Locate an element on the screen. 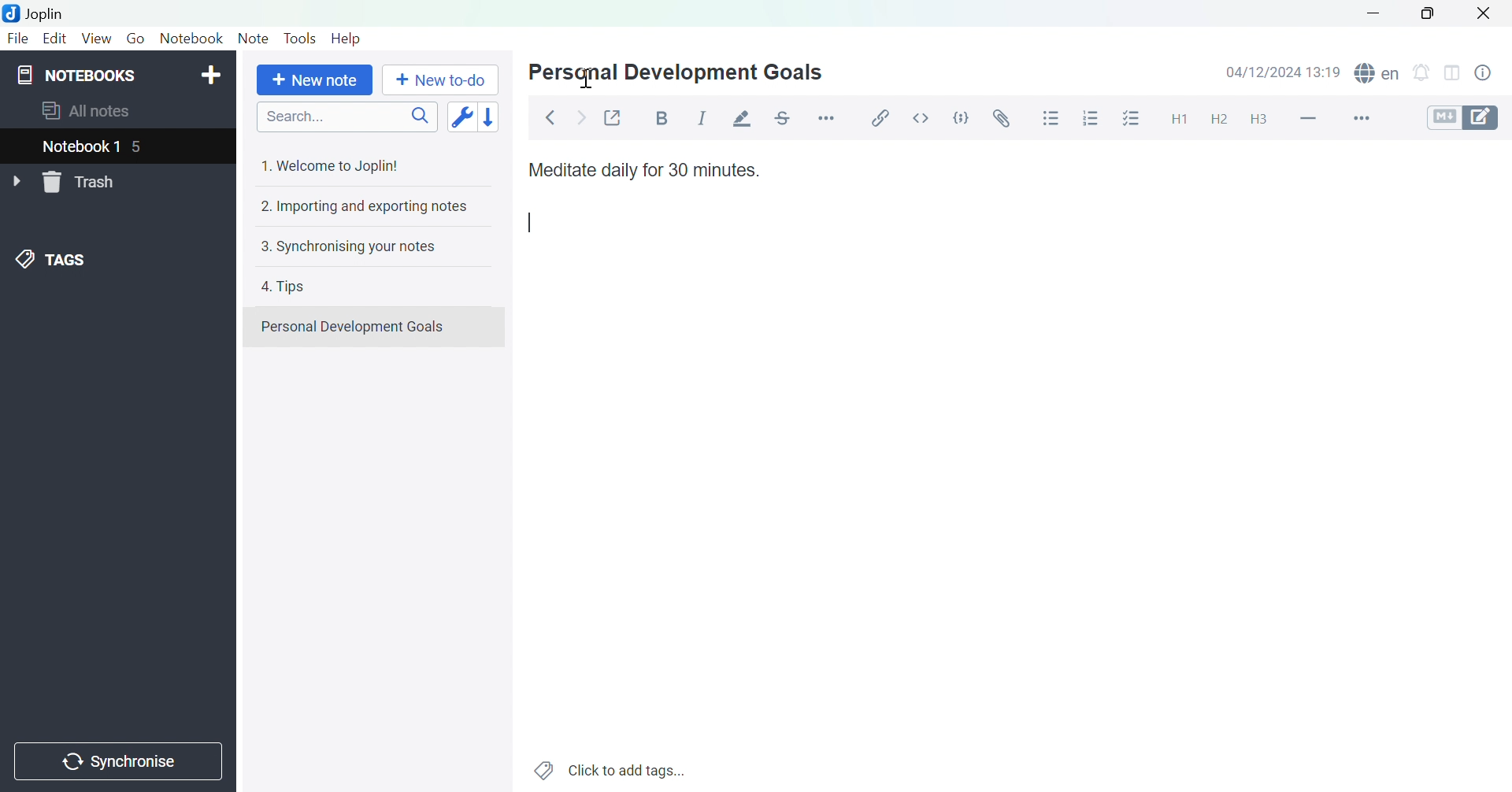 This screenshot has height=792, width=1512. 04/12/2024 12:18 is located at coordinates (1284, 72).